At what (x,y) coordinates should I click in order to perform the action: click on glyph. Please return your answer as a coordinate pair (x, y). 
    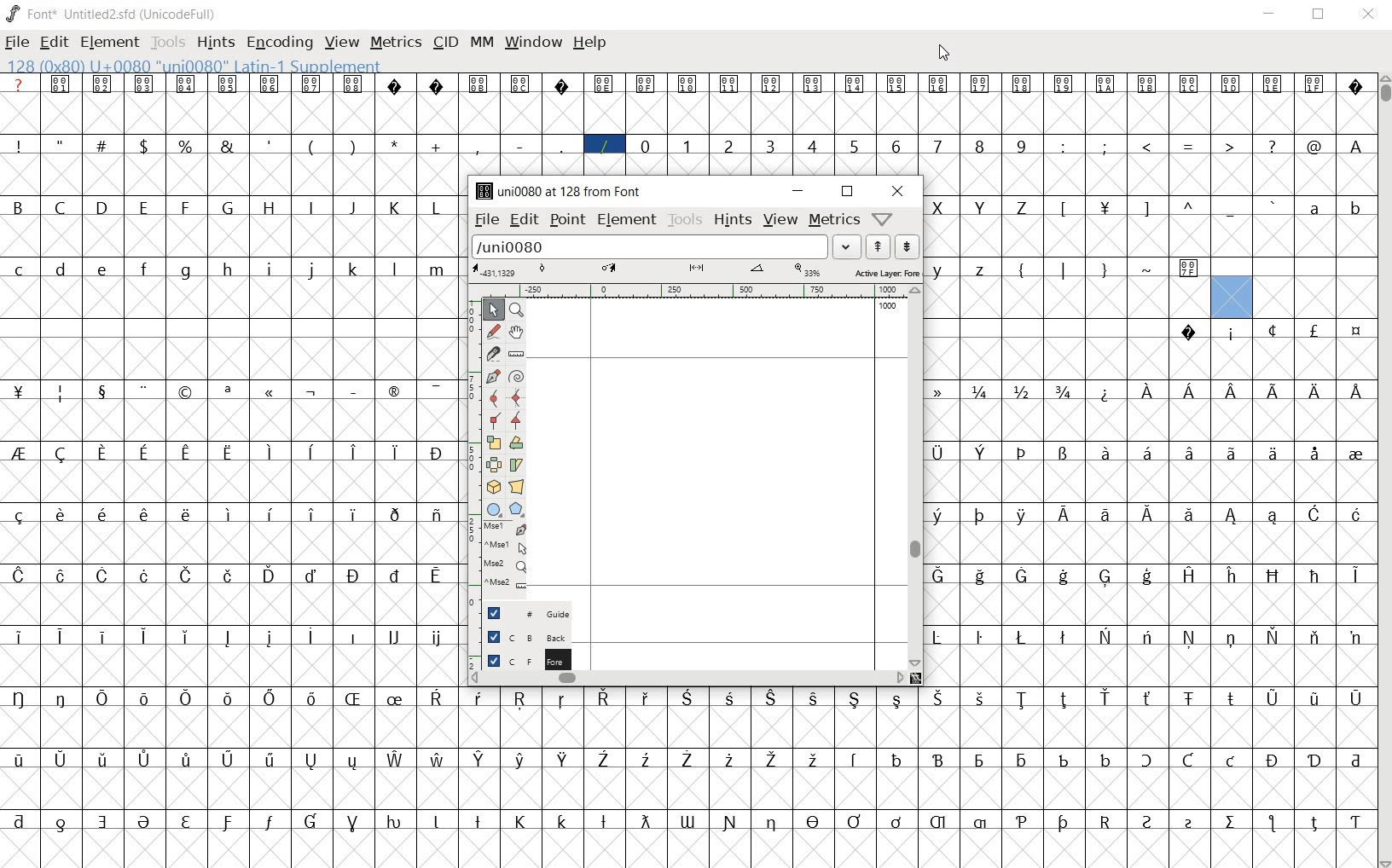
    Looking at the image, I should click on (1189, 824).